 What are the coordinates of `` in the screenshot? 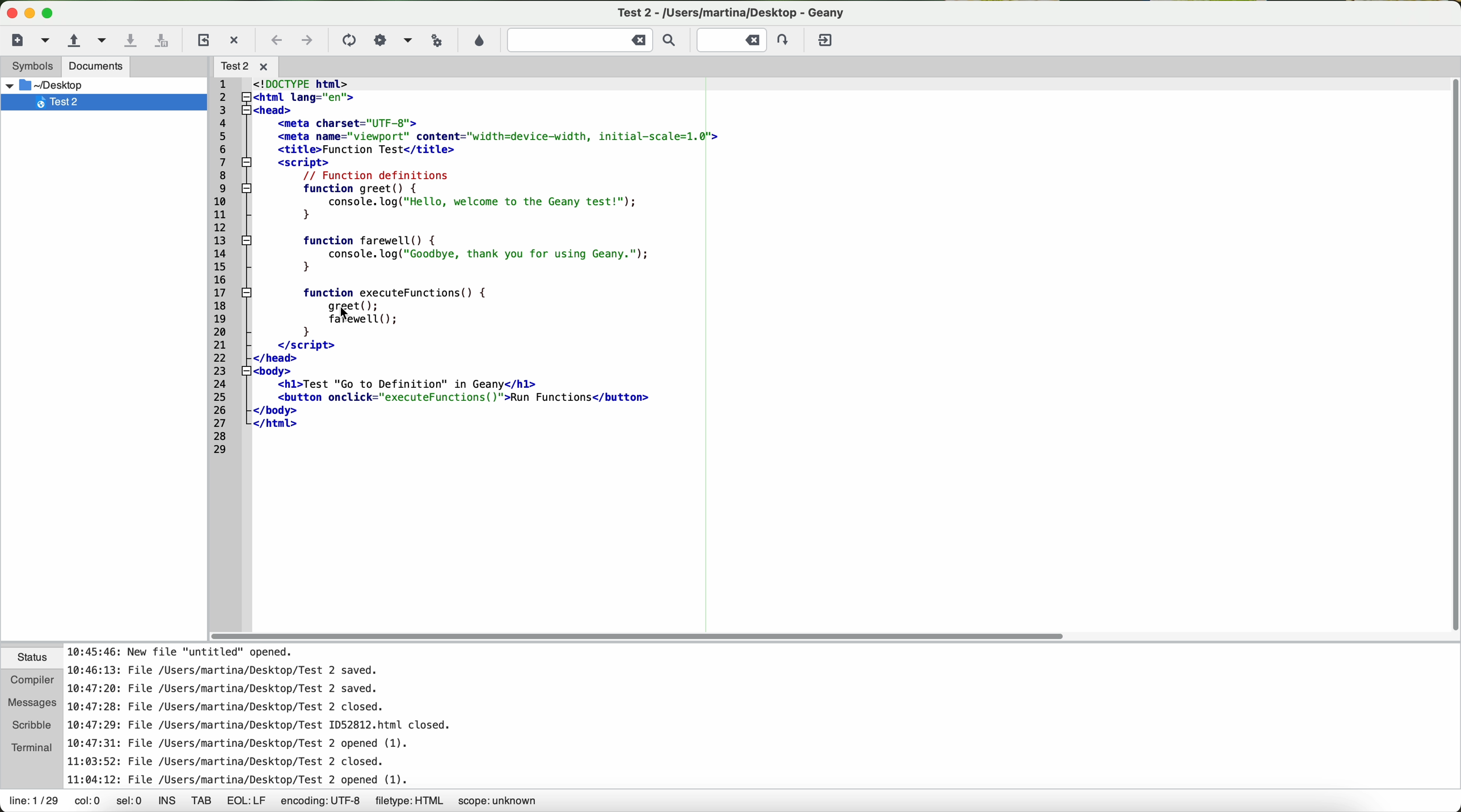 It's located at (251, 65).